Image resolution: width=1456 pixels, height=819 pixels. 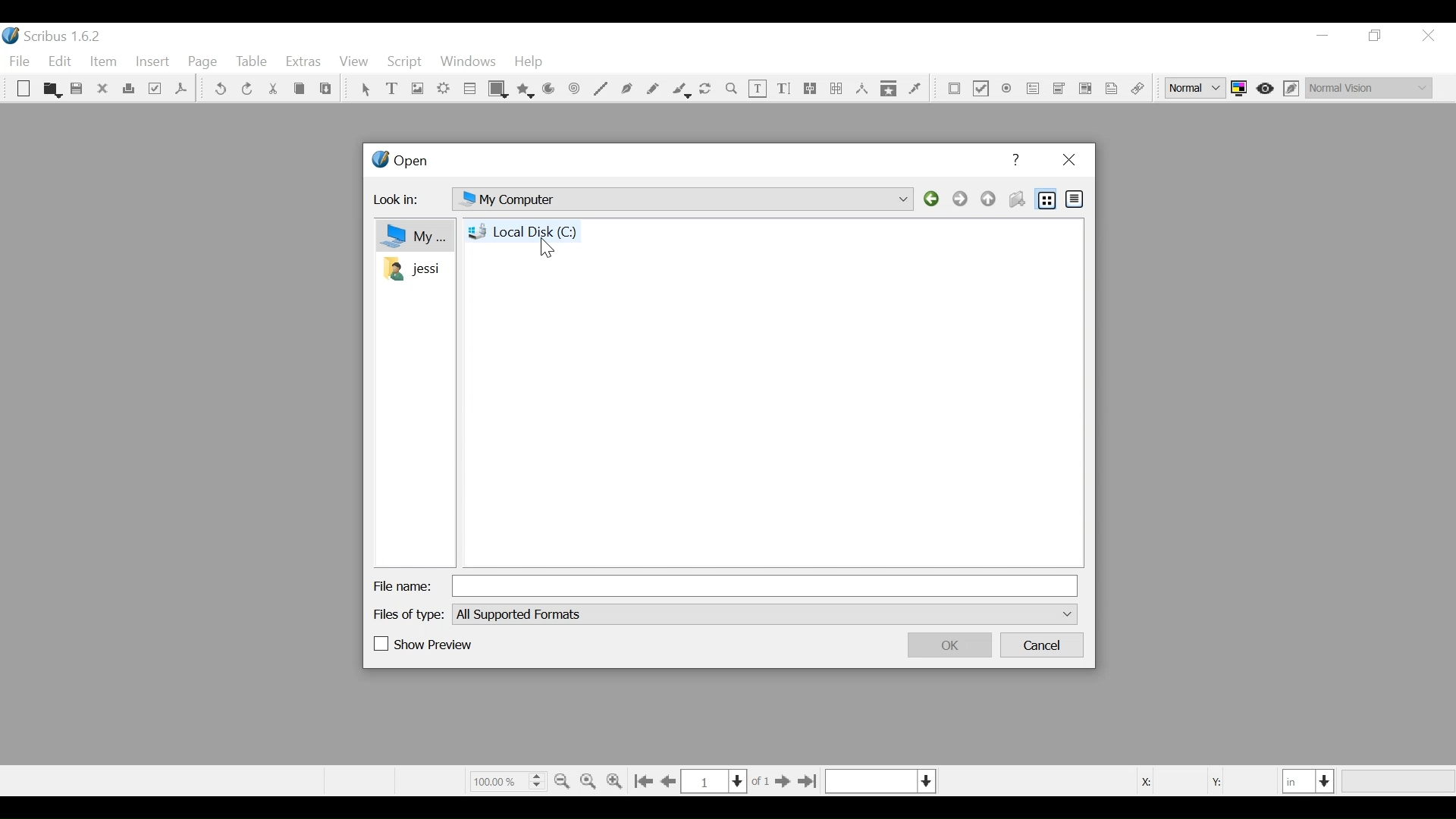 What do you see at coordinates (654, 89) in the screenshot?
I see `Freehand line` at bounding box center [654, 89].